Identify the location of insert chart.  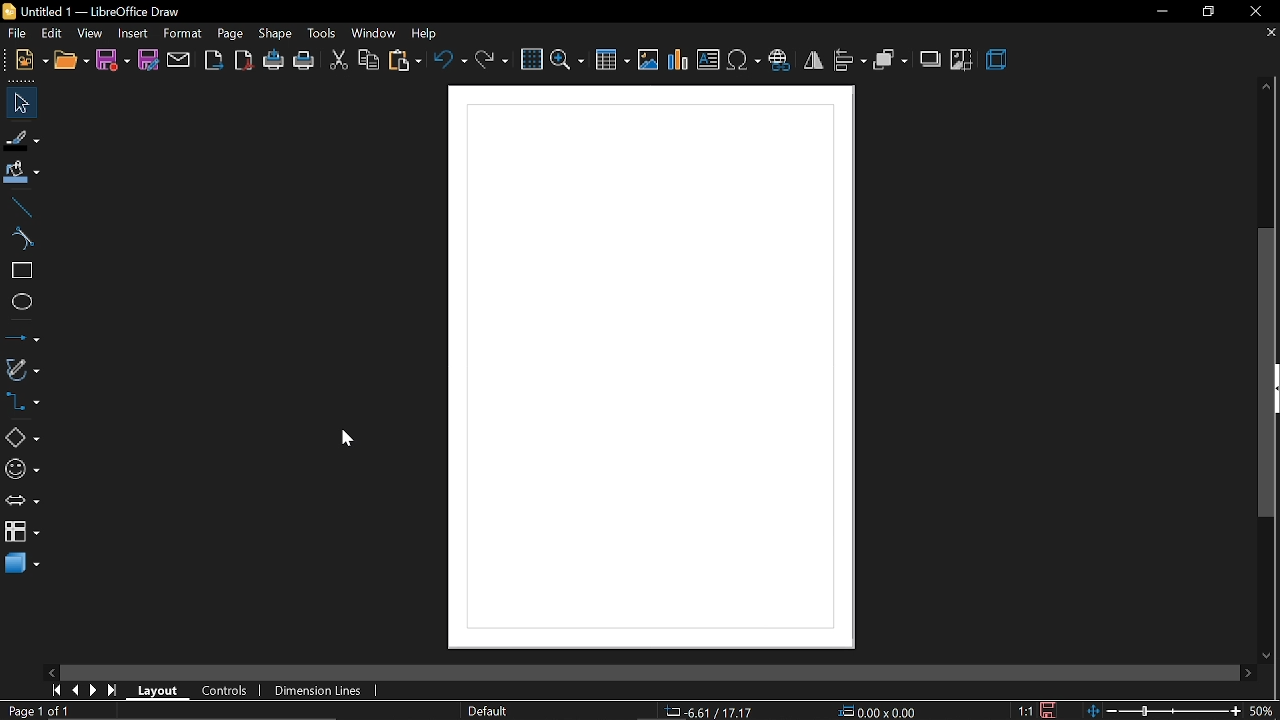
(678, 59).